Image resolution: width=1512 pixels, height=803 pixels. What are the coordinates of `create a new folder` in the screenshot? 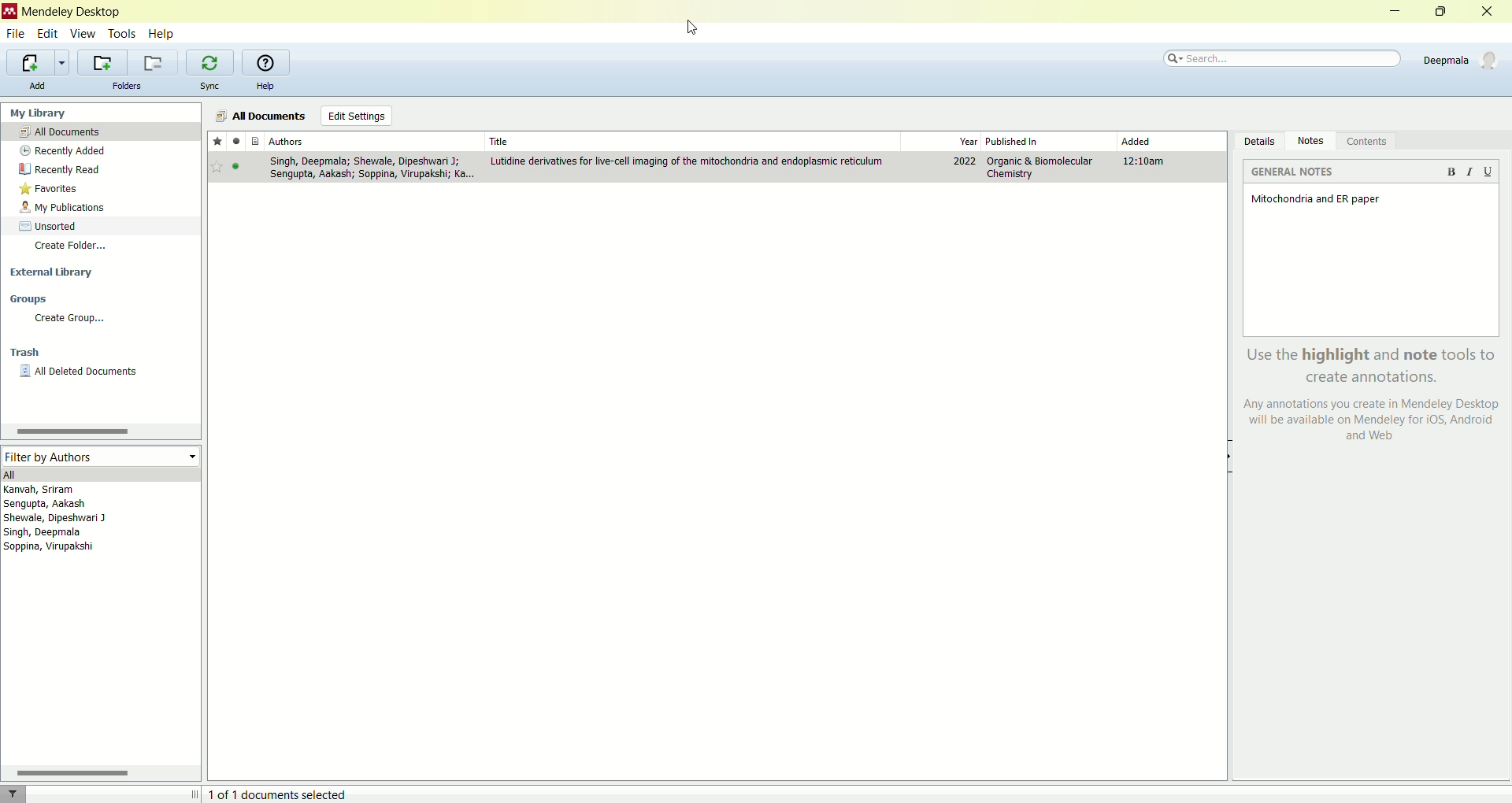 It's located at (99, 61).